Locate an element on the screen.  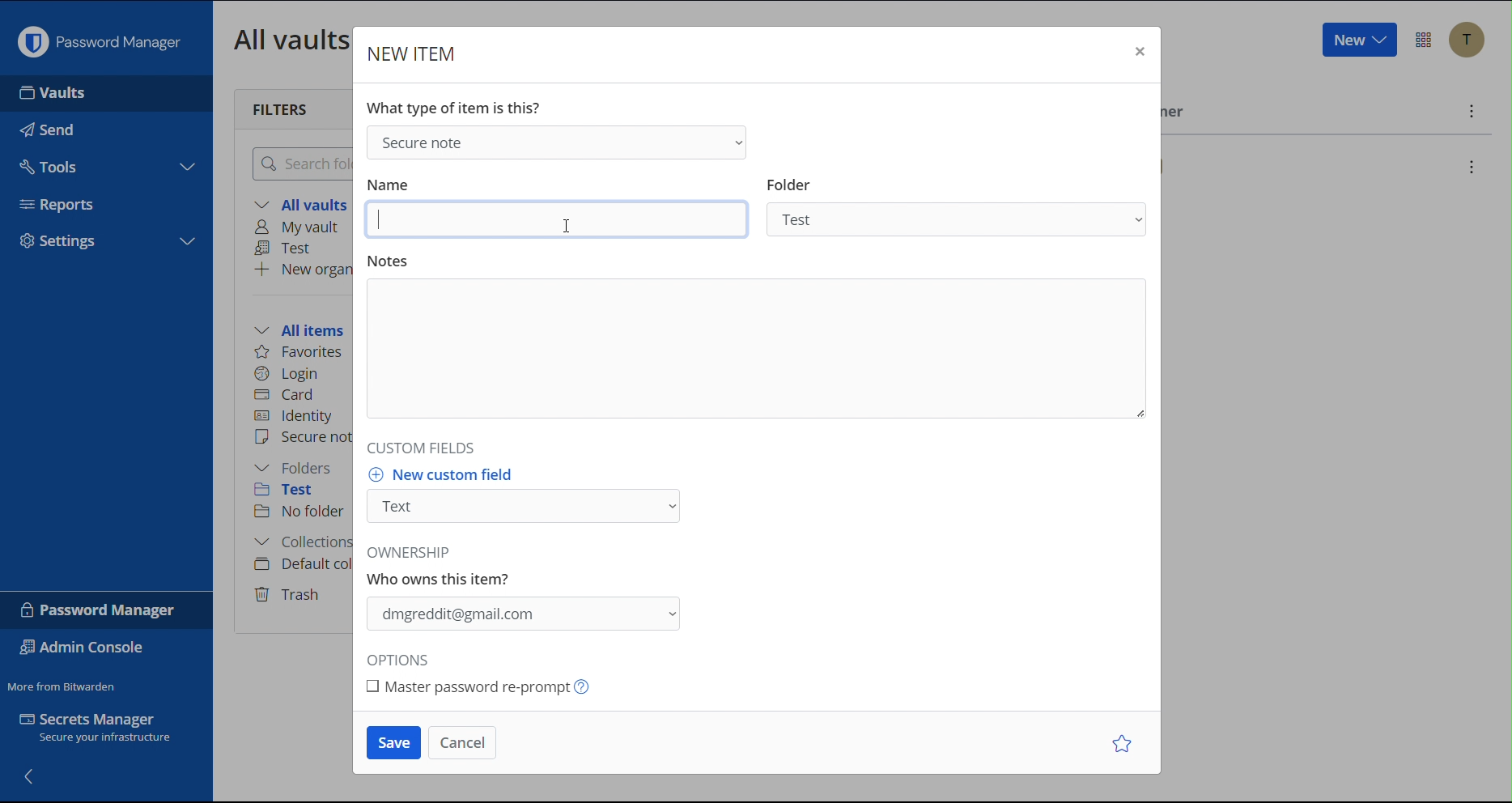
Accounts is located at coordinates (1467, 40).